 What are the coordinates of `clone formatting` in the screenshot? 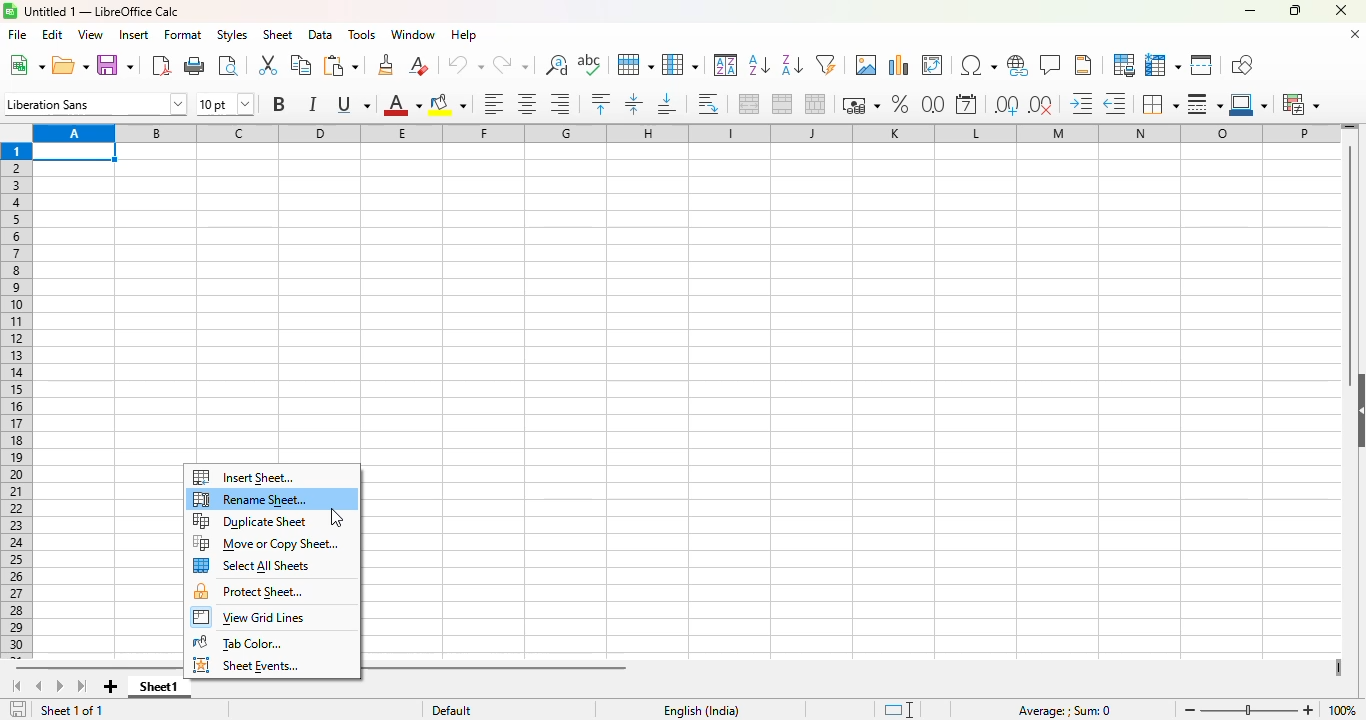 It's located at (387, 65).